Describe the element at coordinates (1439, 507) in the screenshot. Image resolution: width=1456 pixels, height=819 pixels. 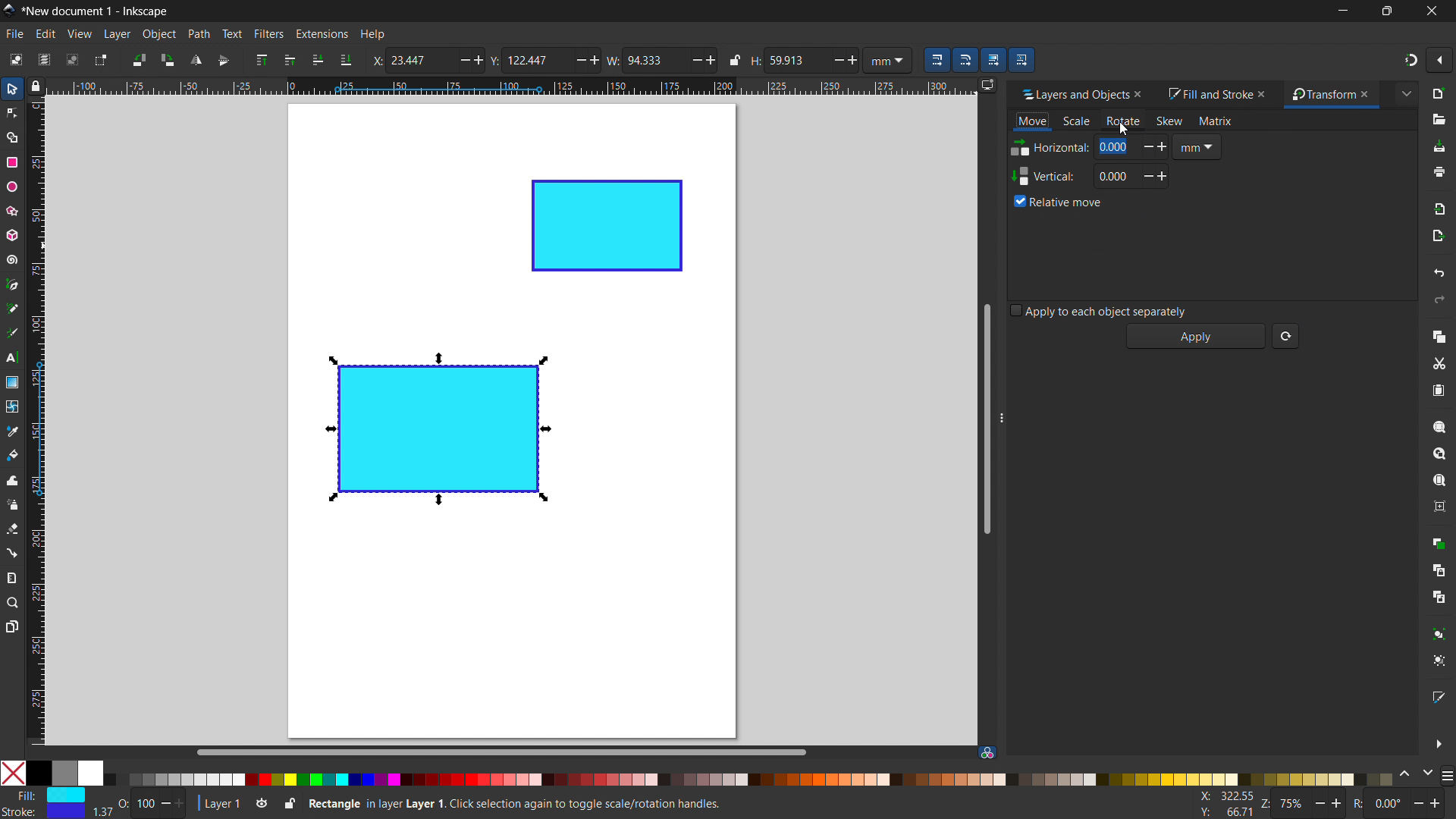
I see `zoom center page` at that location.